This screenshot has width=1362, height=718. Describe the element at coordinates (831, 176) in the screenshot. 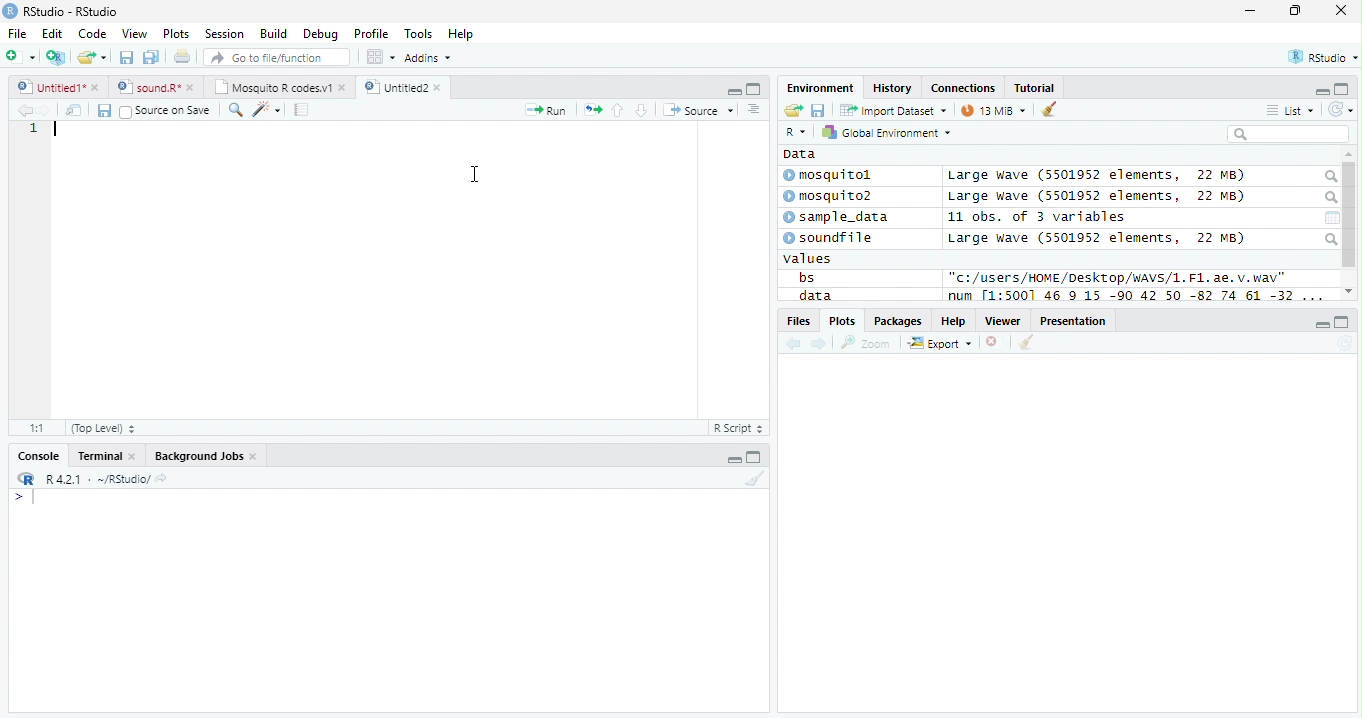

I see `mosquito1` at that location.